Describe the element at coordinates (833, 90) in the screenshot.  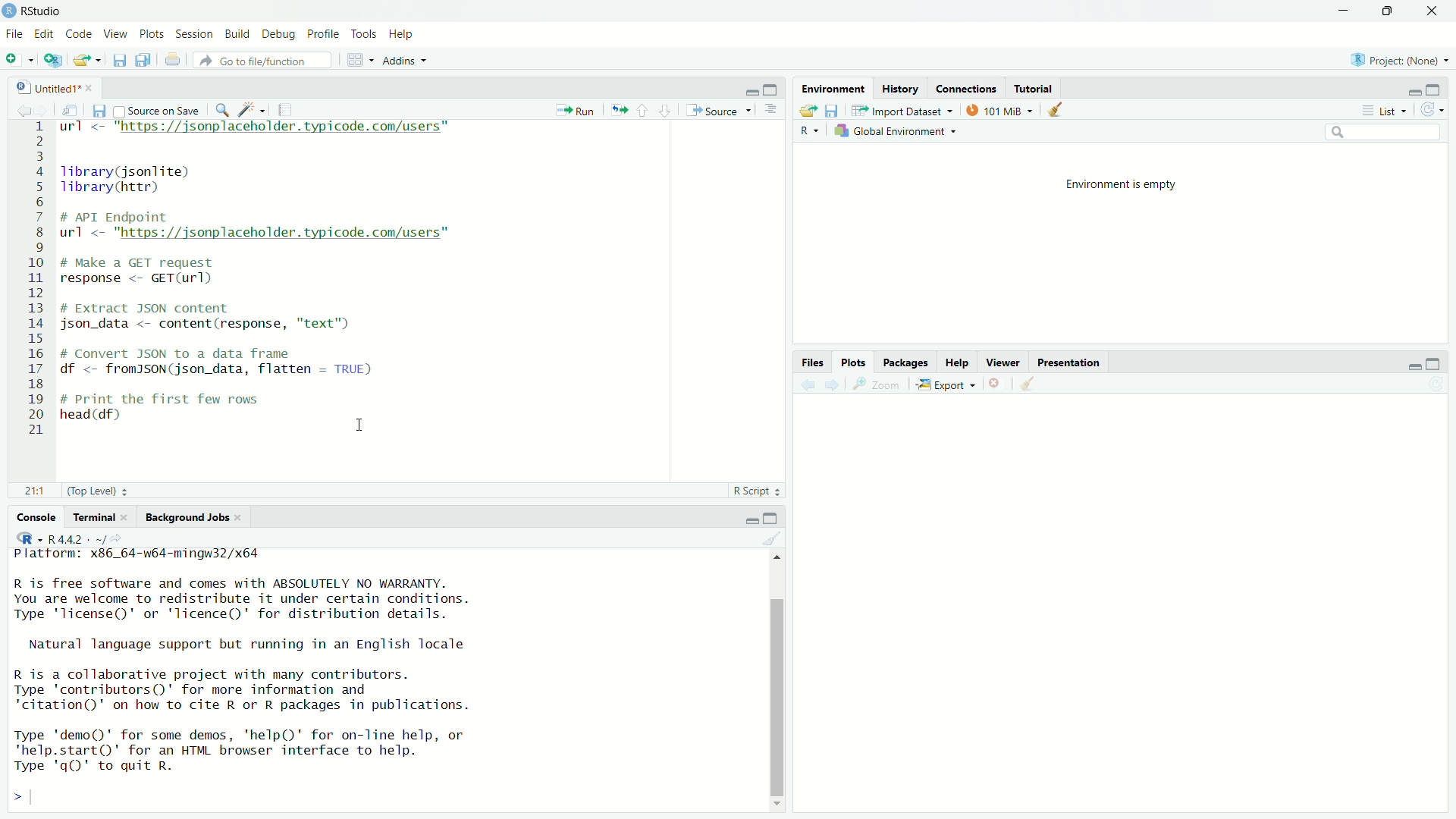
I see `Environment` at that location.